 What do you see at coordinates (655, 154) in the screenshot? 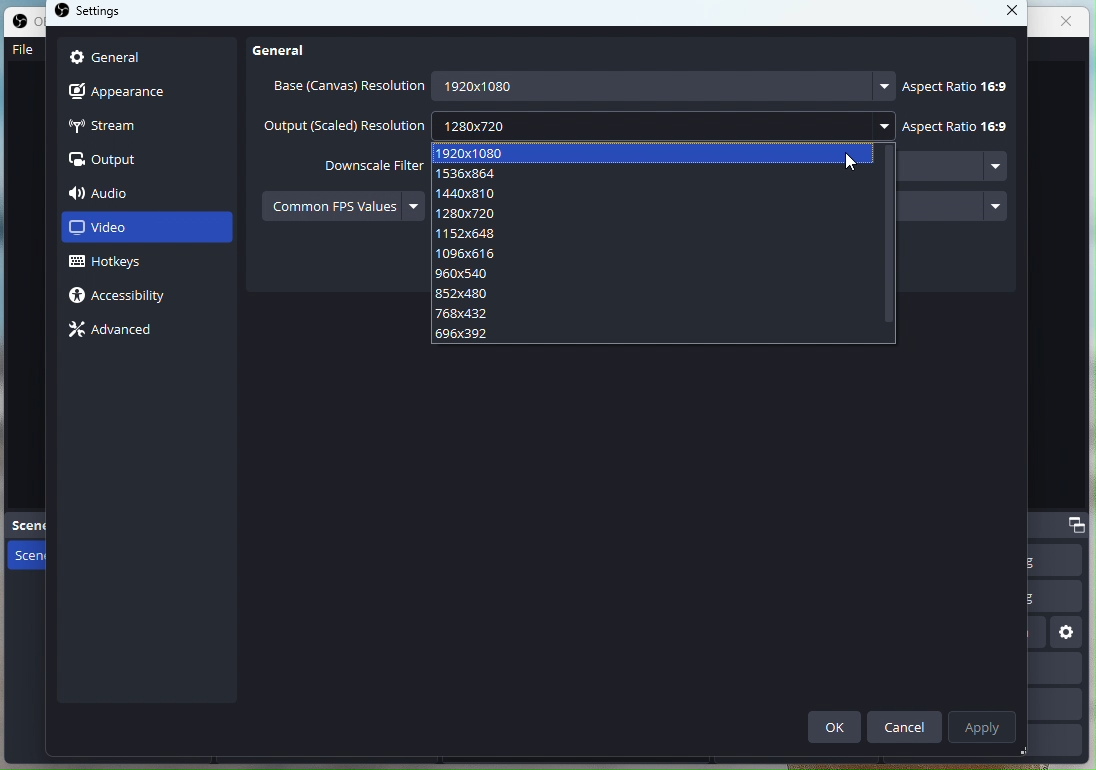
I see `1920x1080` at bounding box center [655, 154].